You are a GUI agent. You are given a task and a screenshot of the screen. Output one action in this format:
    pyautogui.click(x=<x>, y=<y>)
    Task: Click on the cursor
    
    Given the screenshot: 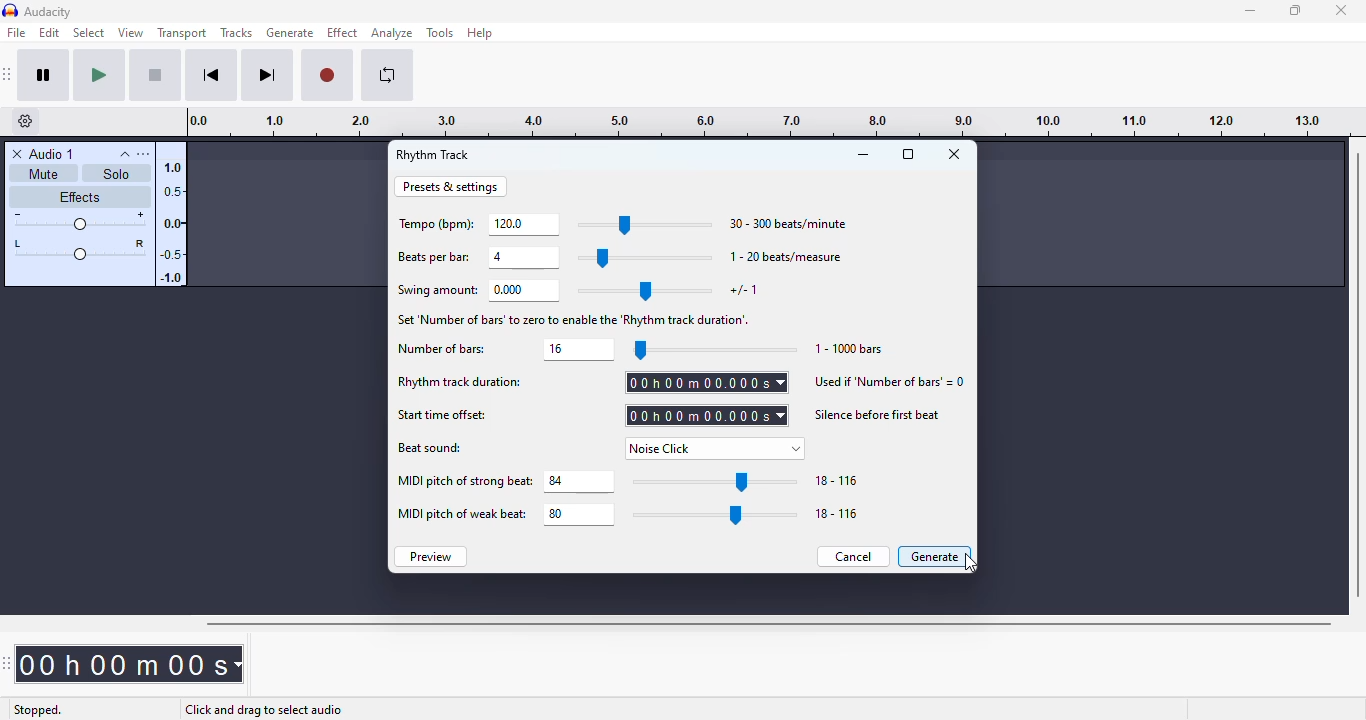 What is the action you would take?
    pyautogui.click(x=972, y=562)
    